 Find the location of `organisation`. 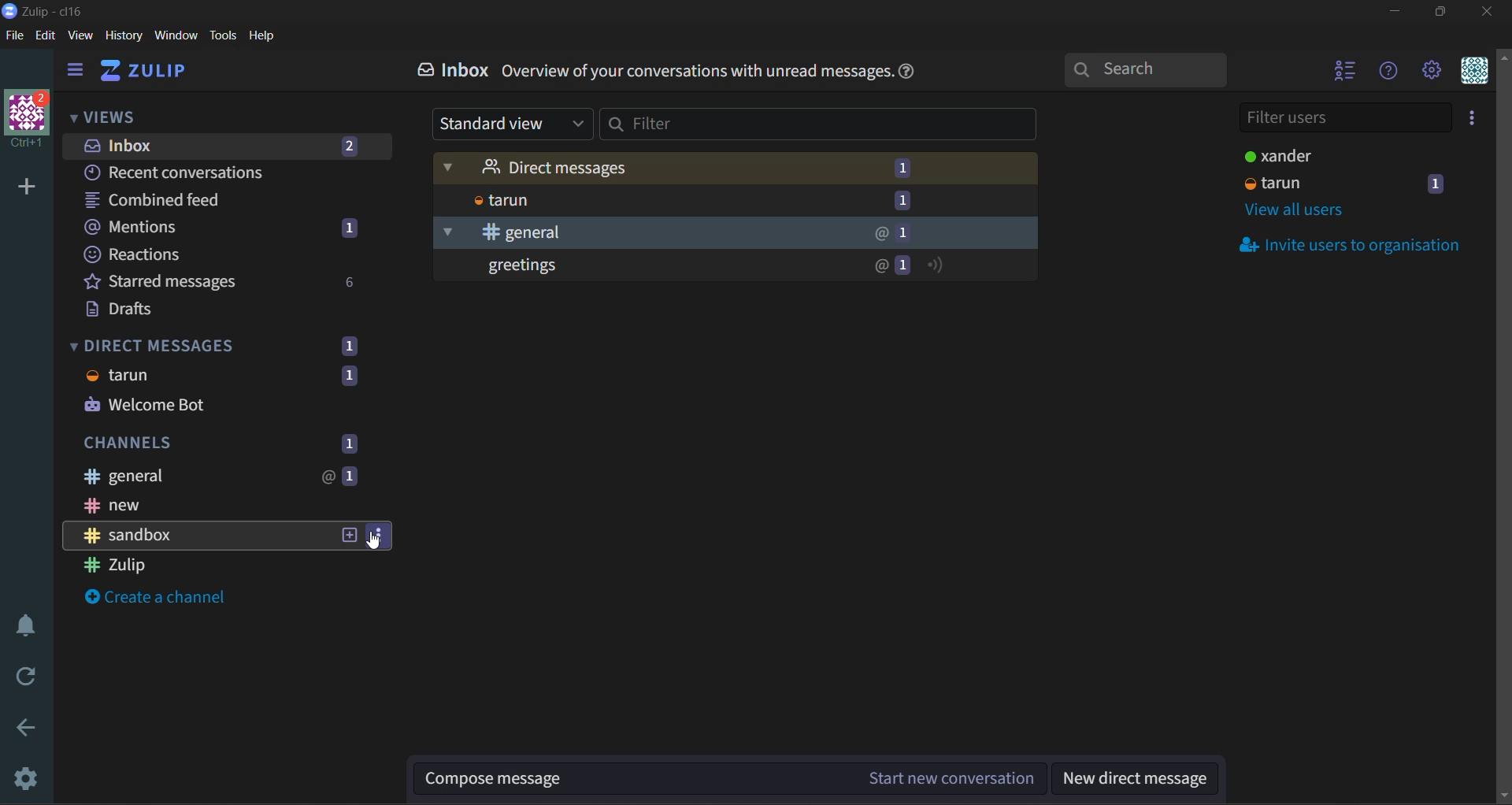

organisation is located at coordinates (28, 121).